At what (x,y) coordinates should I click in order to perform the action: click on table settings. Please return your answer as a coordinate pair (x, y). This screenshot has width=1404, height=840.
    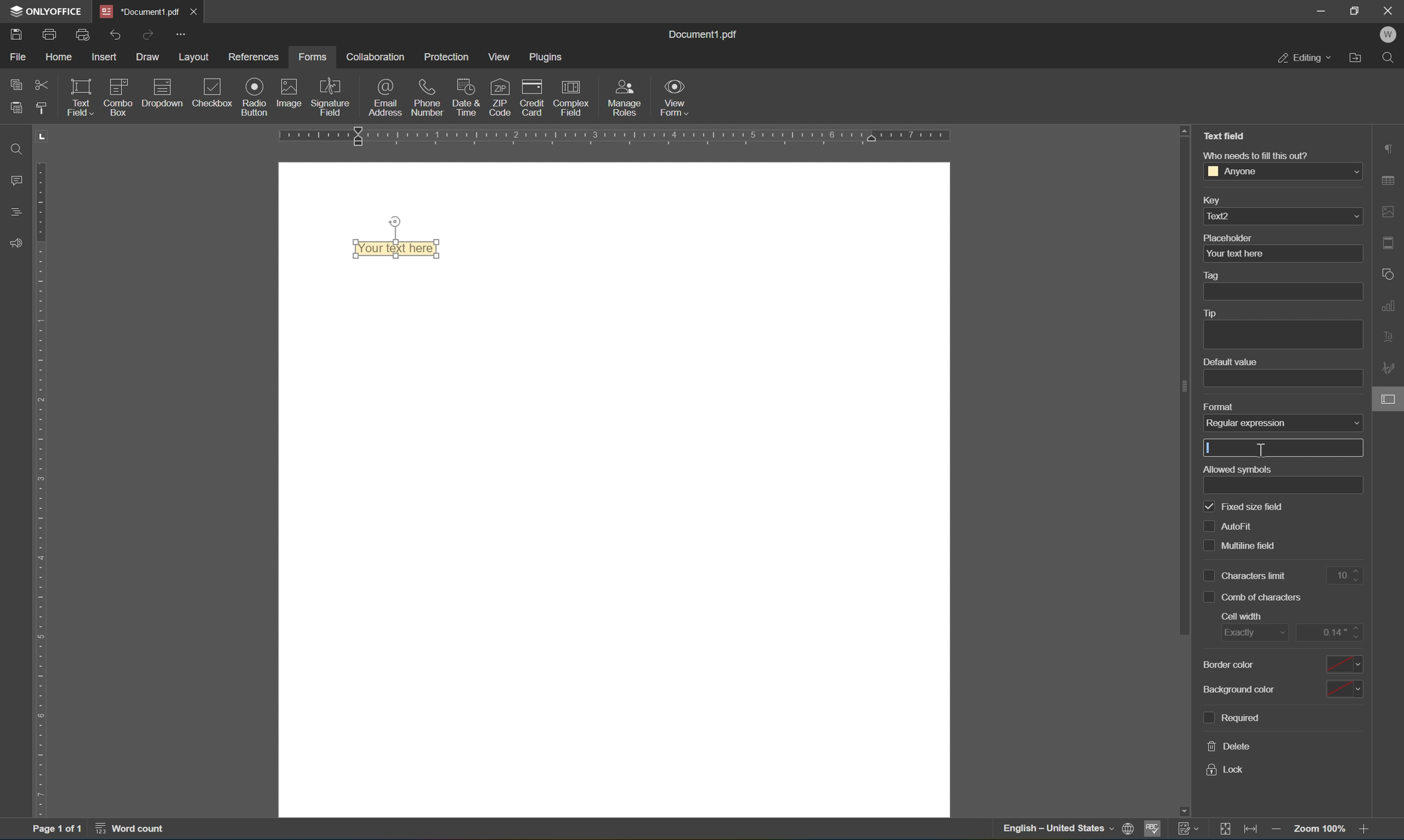
    Looking at the image, I should click on (1390, 179).